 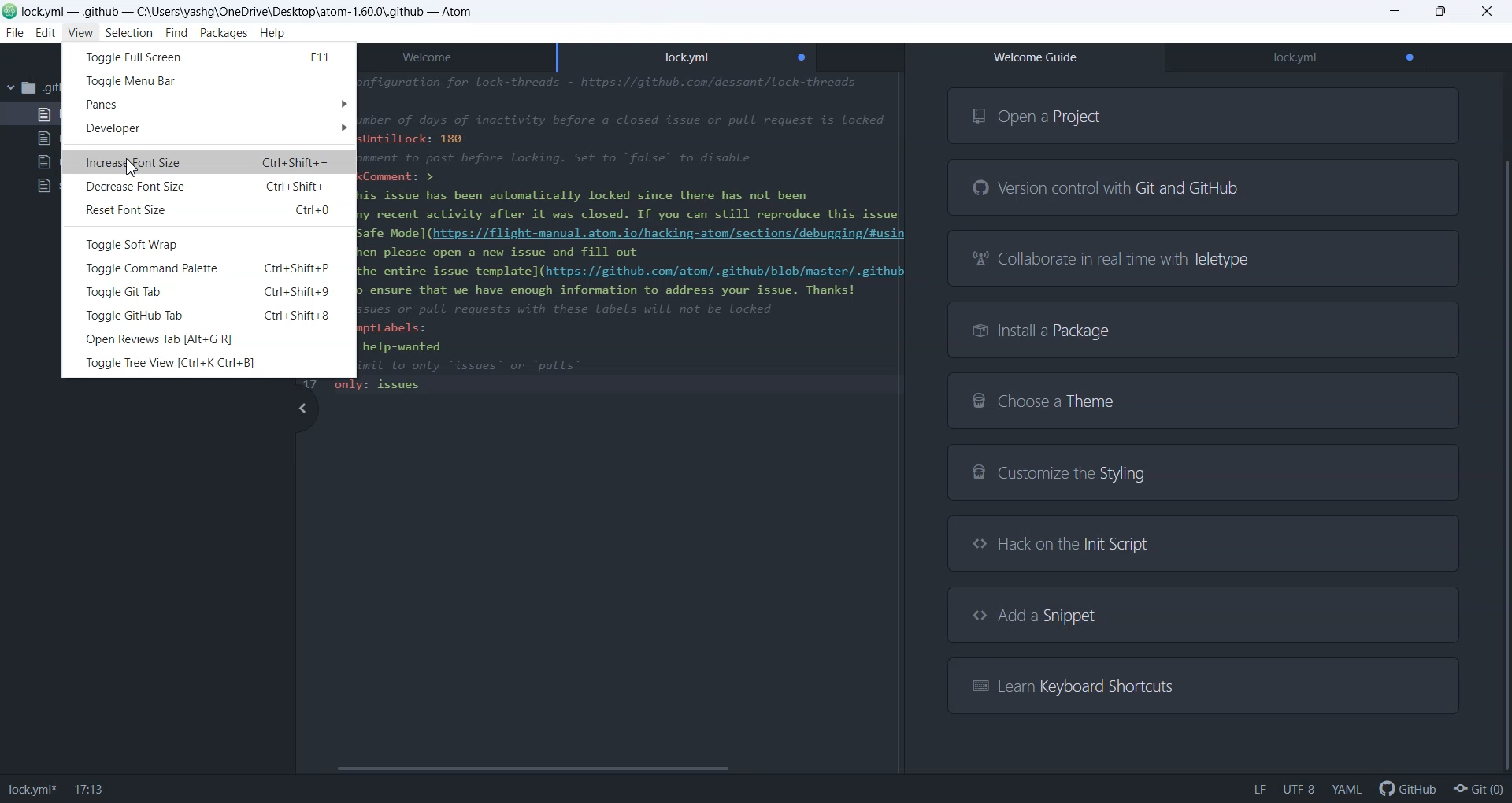 I want to click on Open review Tab, so click(x=208, y=339).